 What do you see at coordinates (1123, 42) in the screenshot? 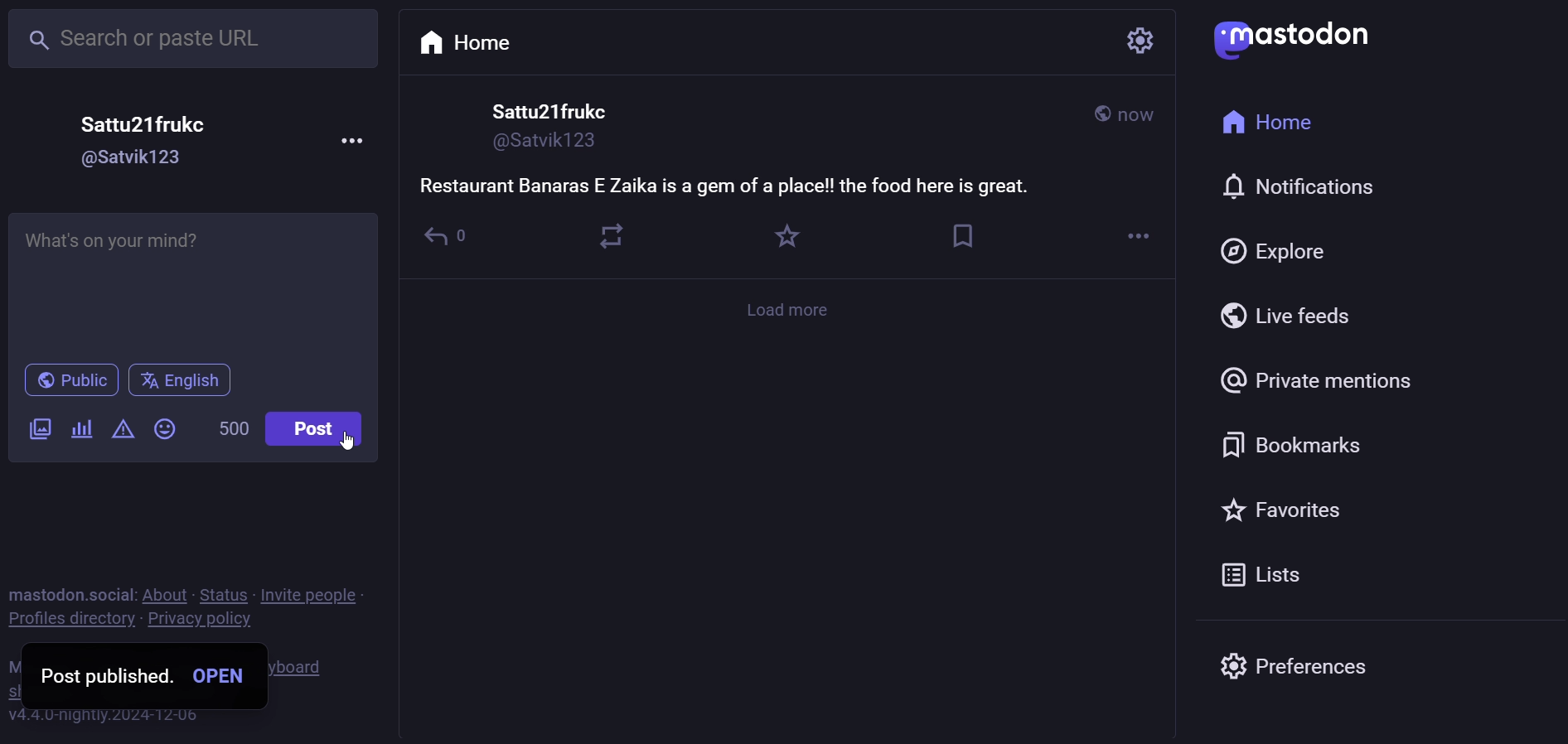
I see `setting` at bounding box center [1123, 42].